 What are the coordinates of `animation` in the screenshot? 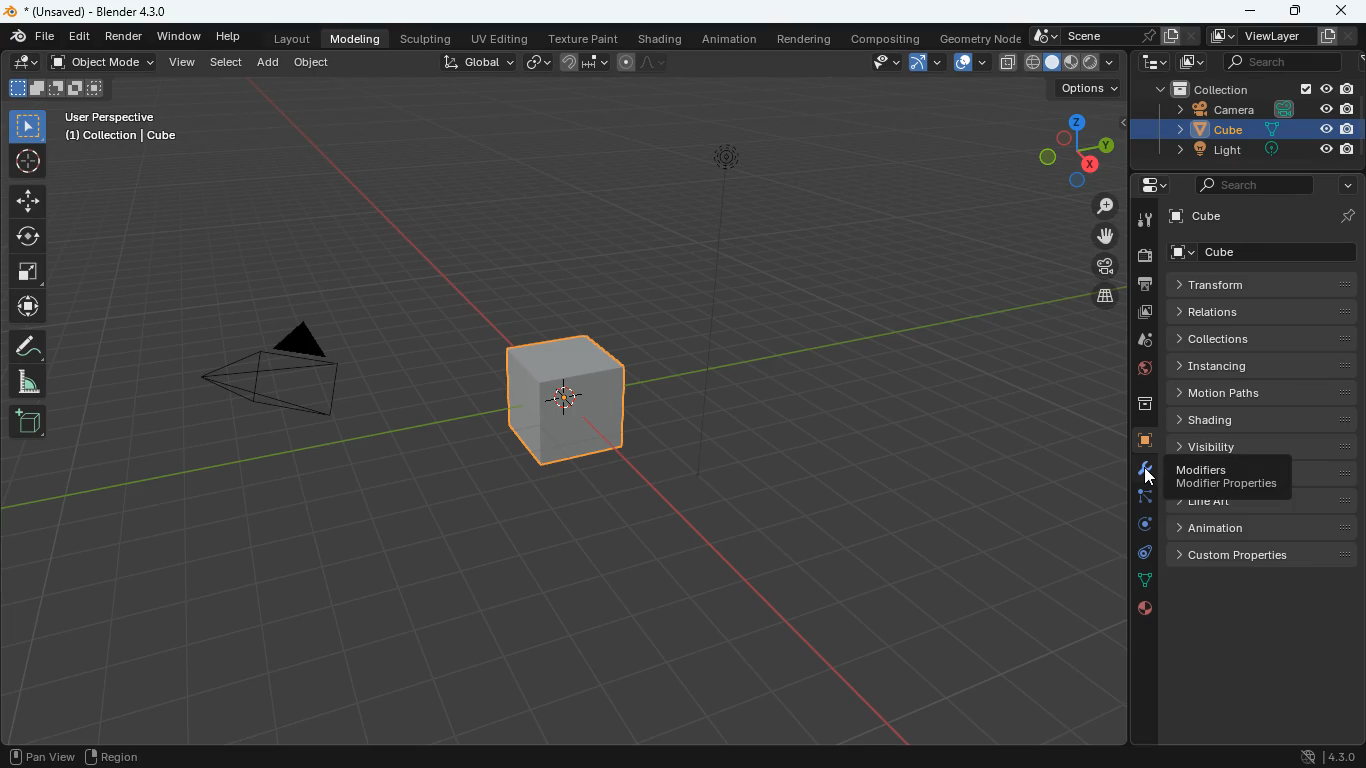 It's located at (1267, 528).